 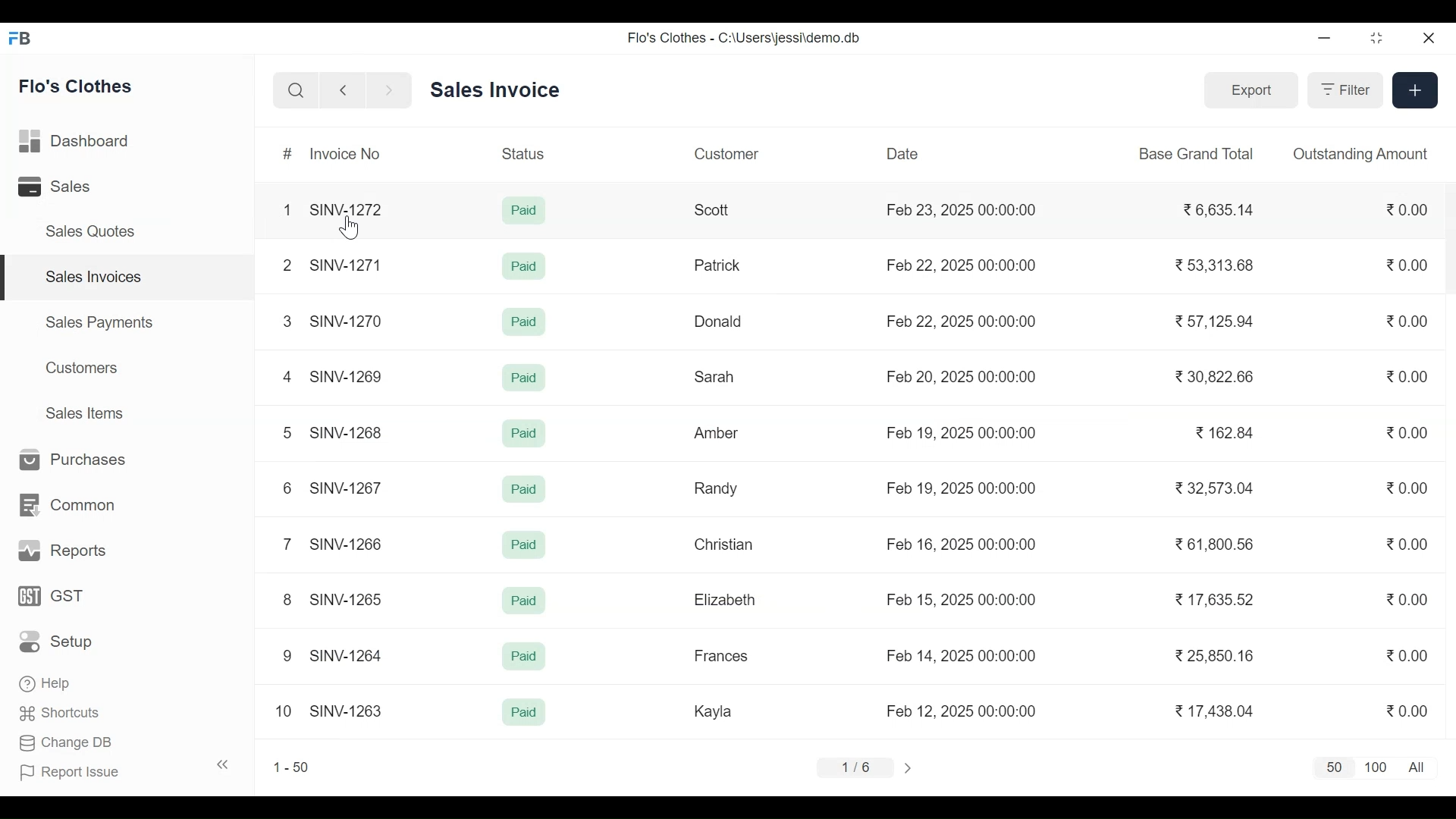 What do you see at coordinates (717, 435) in the screenshot?
I see `Amber` at bounding box center [717, 435].